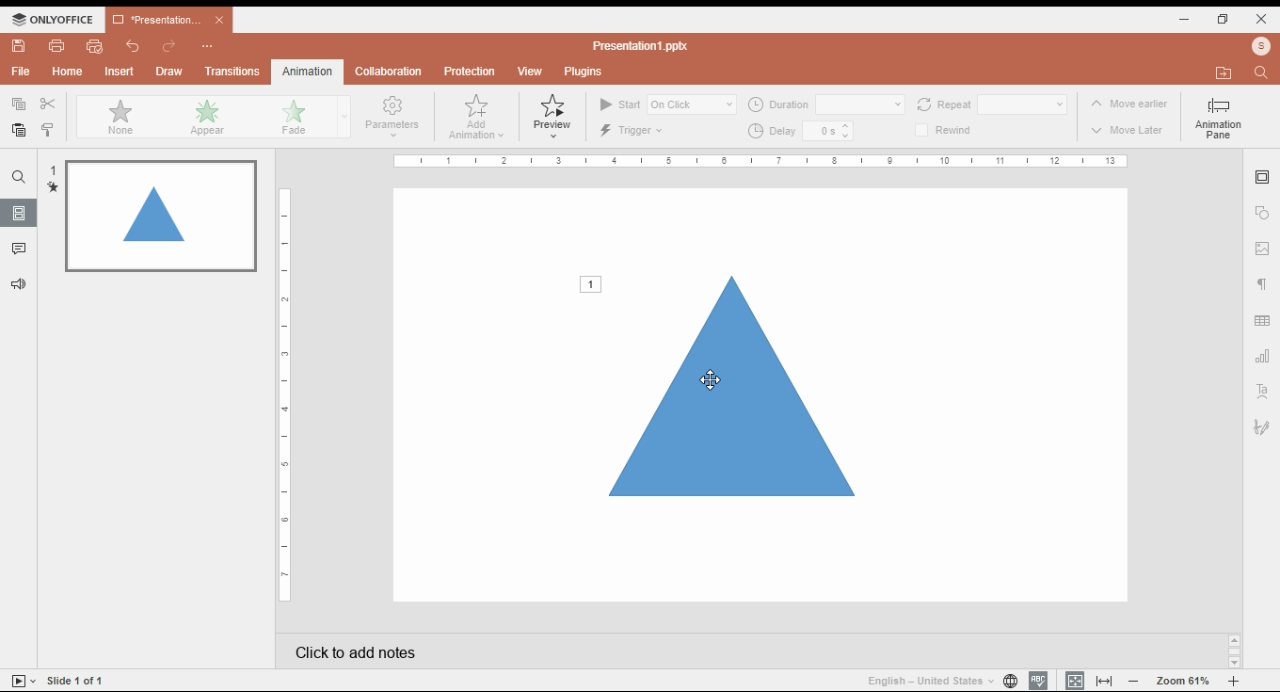 This screenshot has width=1280, height=692. What do you see at coordinates (58, 45) in the screenshot?
I see `print file` at bounding box center [58, 45].